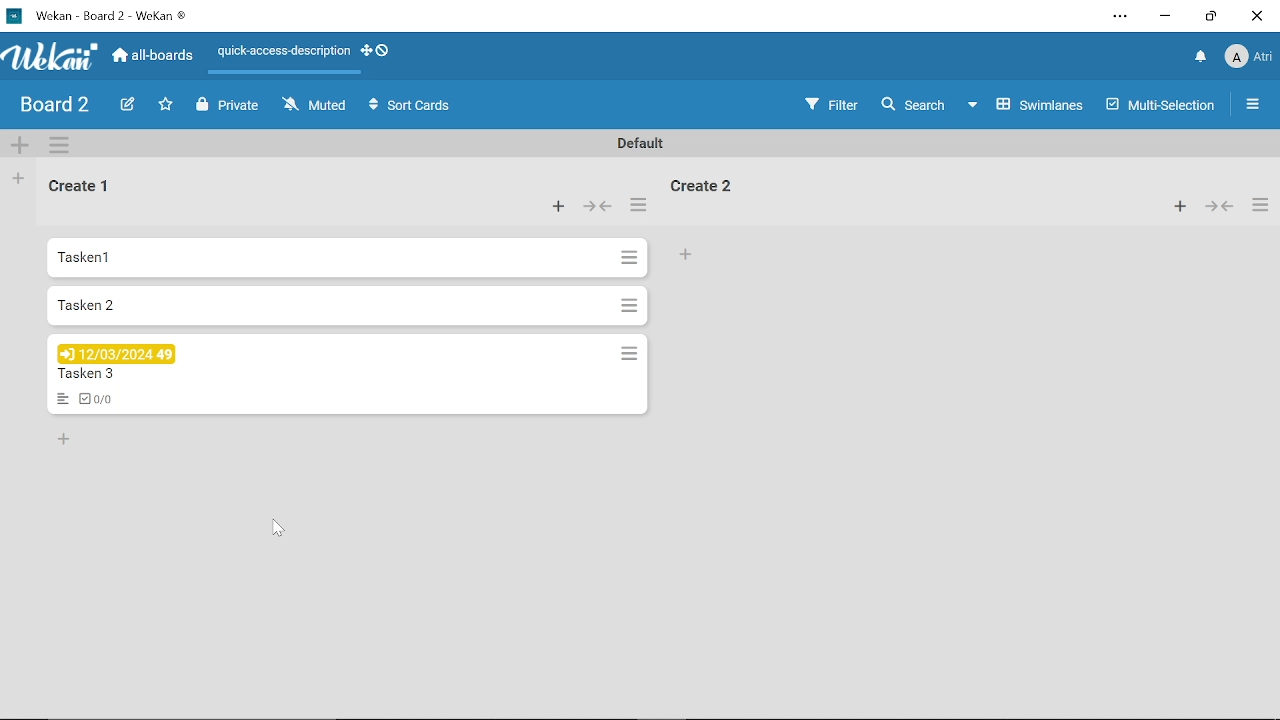 This screenshot has height=720, width=1280. I want to click on More, so click(60, 146).